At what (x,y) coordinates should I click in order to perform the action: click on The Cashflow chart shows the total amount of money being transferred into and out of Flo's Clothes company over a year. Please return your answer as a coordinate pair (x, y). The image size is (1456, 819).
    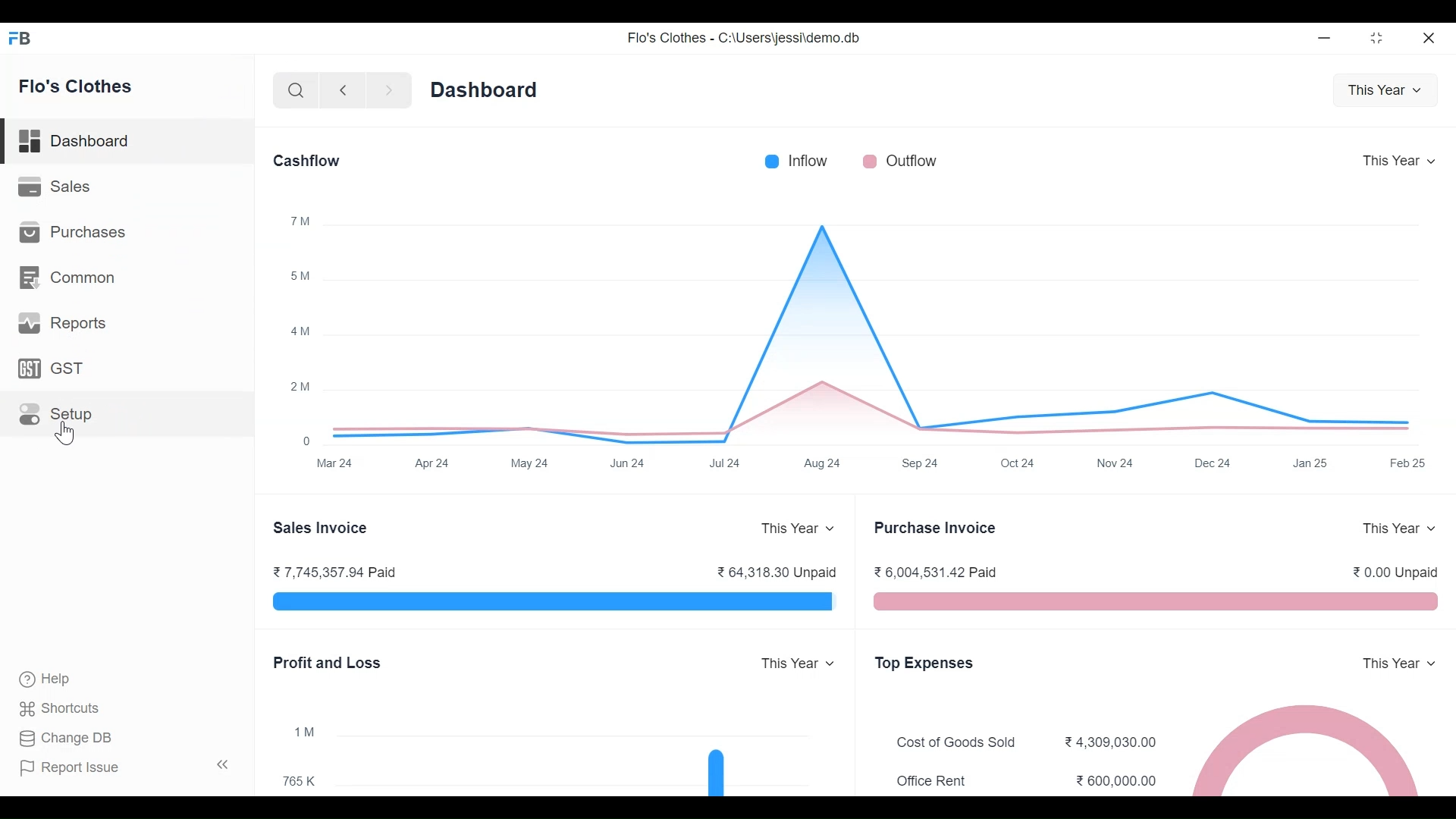
    Looking at the image, I should click on (880, 331).